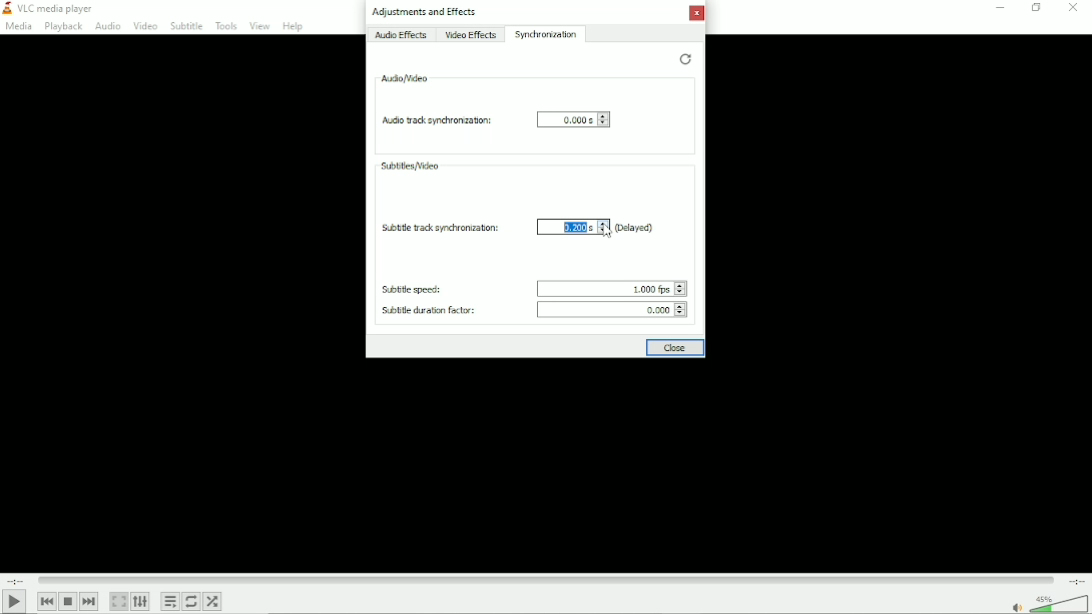 The image size is (1092, 614). What do you see at coordinates (471, 36) in the screenshot?
I see `Video effects` at bounding box center [471, 36].